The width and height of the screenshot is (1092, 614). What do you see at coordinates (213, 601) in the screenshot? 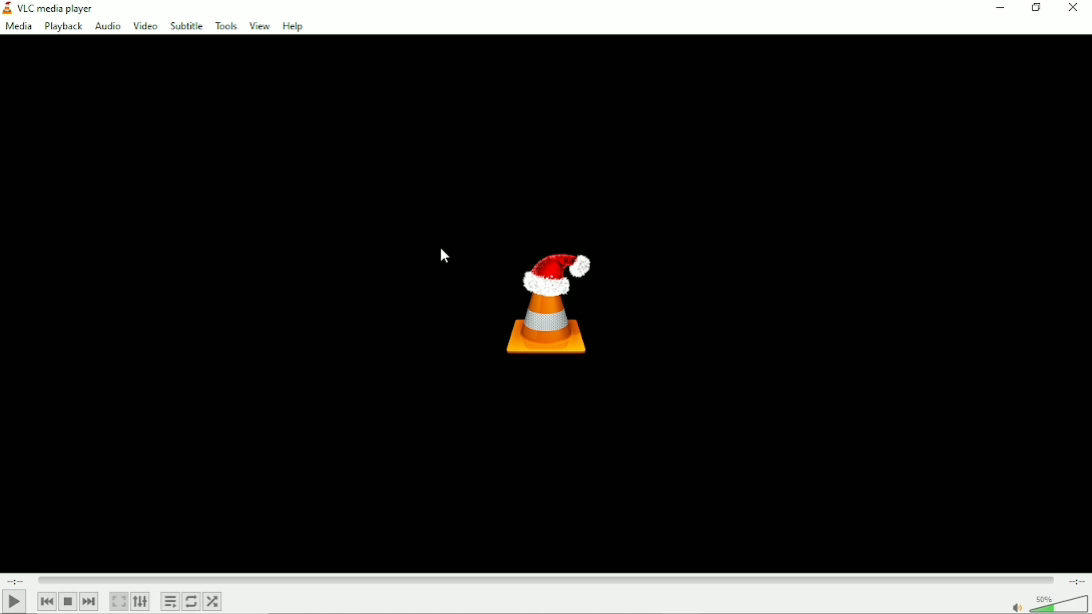
I see `Random` at bounding box center [213, 601].